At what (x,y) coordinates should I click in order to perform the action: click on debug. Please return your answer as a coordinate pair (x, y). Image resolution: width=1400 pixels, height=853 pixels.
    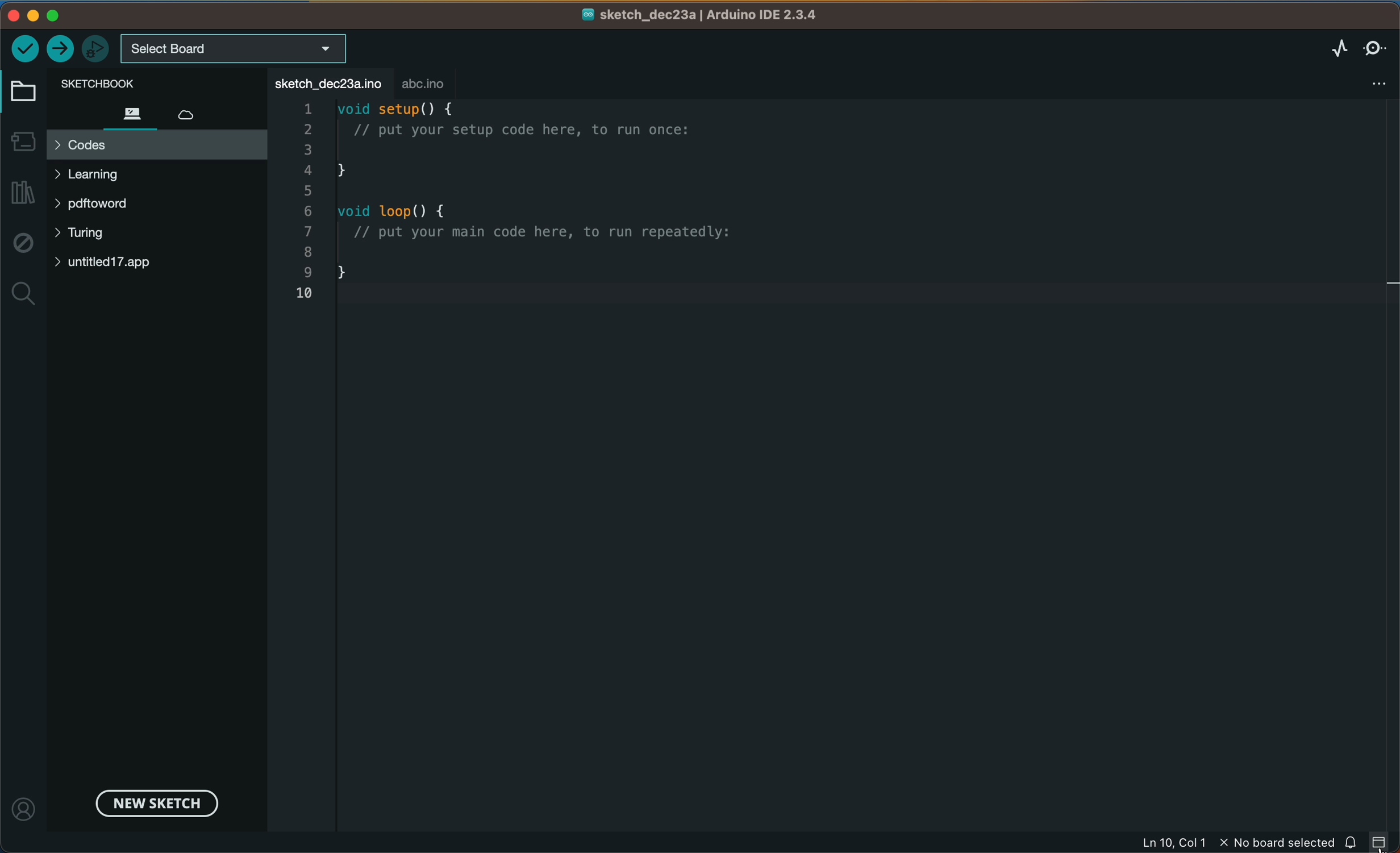
    Looking at the image, I should click on (21, 242).